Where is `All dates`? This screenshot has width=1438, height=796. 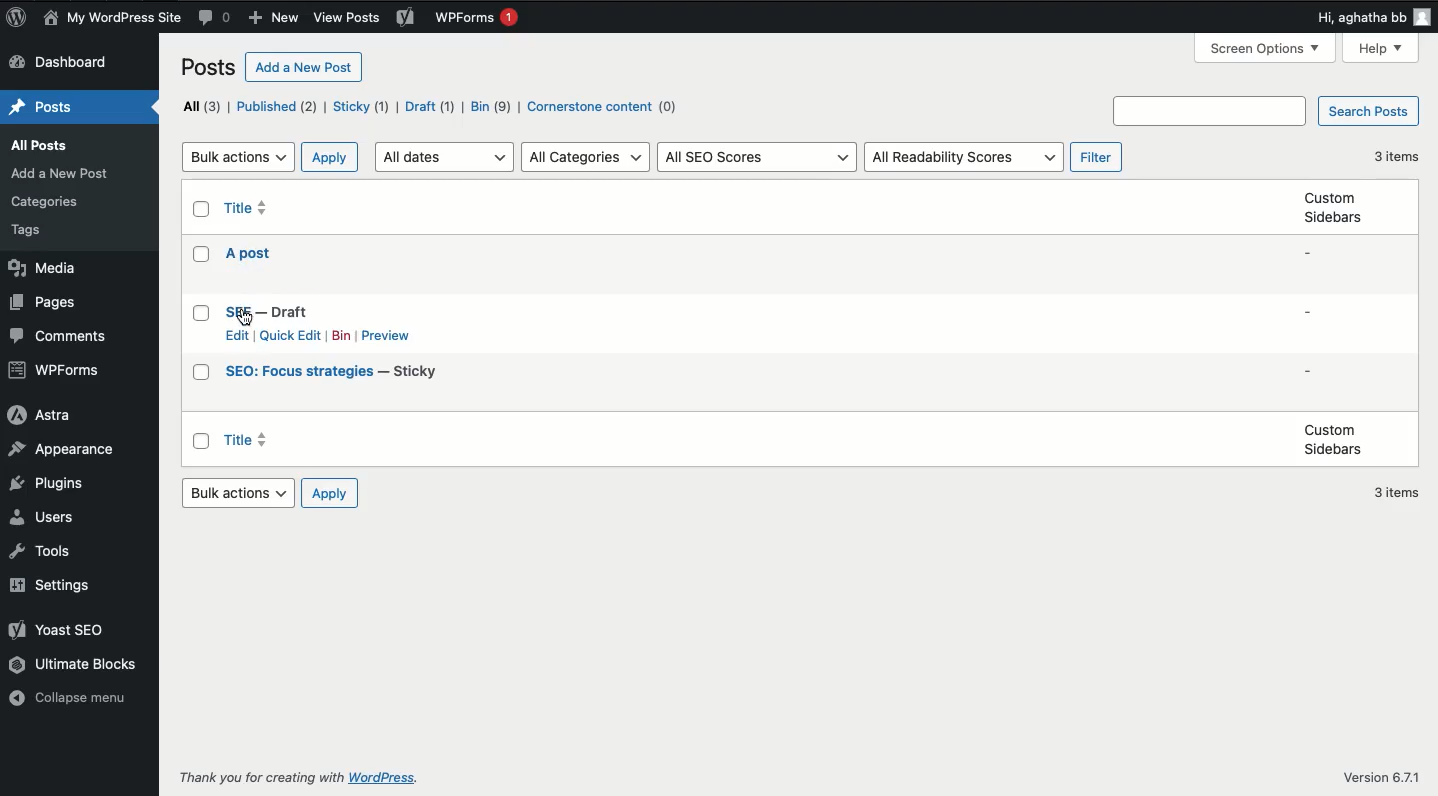
All dates is located at coordinates (446, 156).